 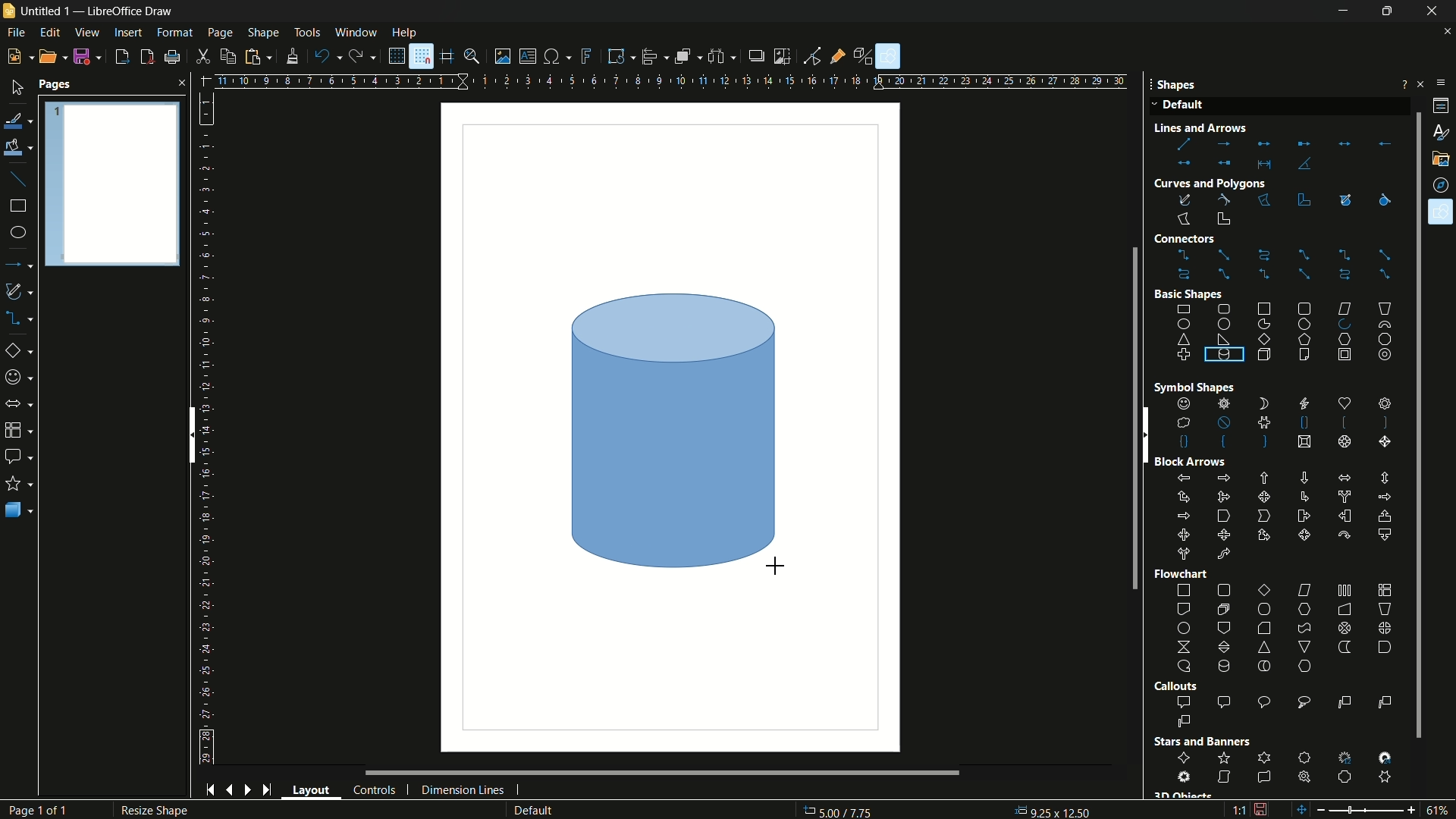 What do you see at coordinates (1281, 153) in the screenshot?
I see `lines and arrows` at bounding box center [1281, 153].